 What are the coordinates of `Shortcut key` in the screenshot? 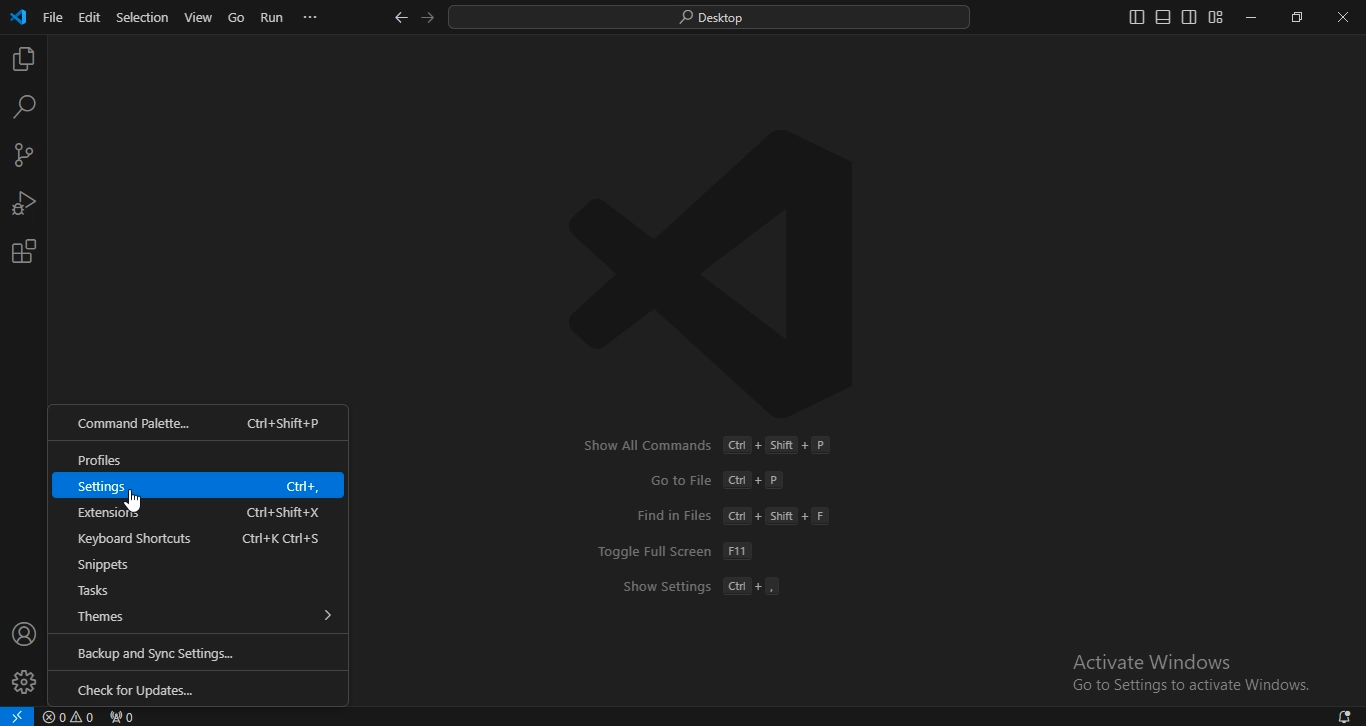 It's located at (305, 486).